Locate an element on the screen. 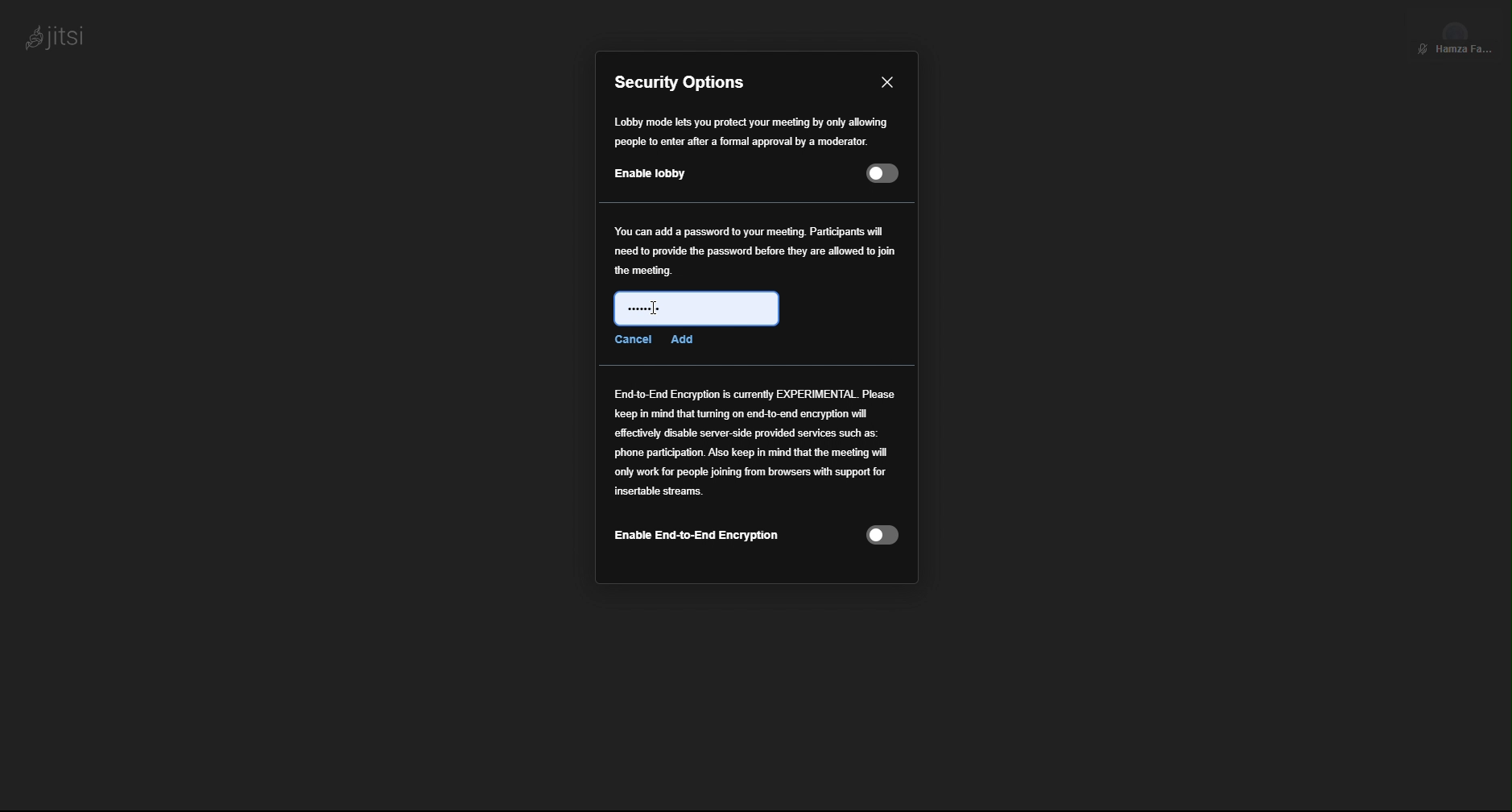 The height and width of the screenshot is (812, 1512). Password is located at coordinates (756, 250).